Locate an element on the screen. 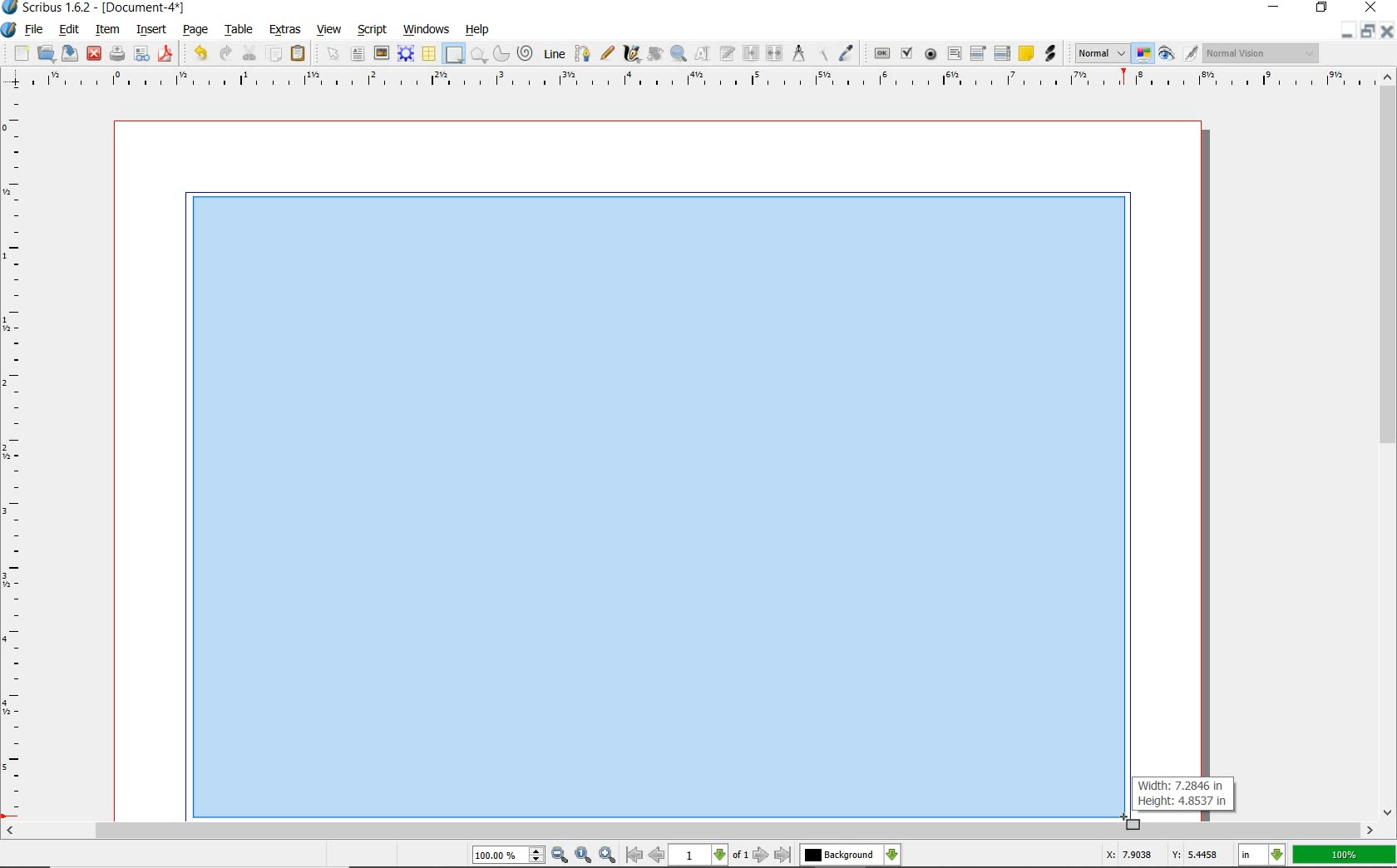 The width and height of the screenshot is (1397, 868). go to next page is located at coordinates (762, 855).